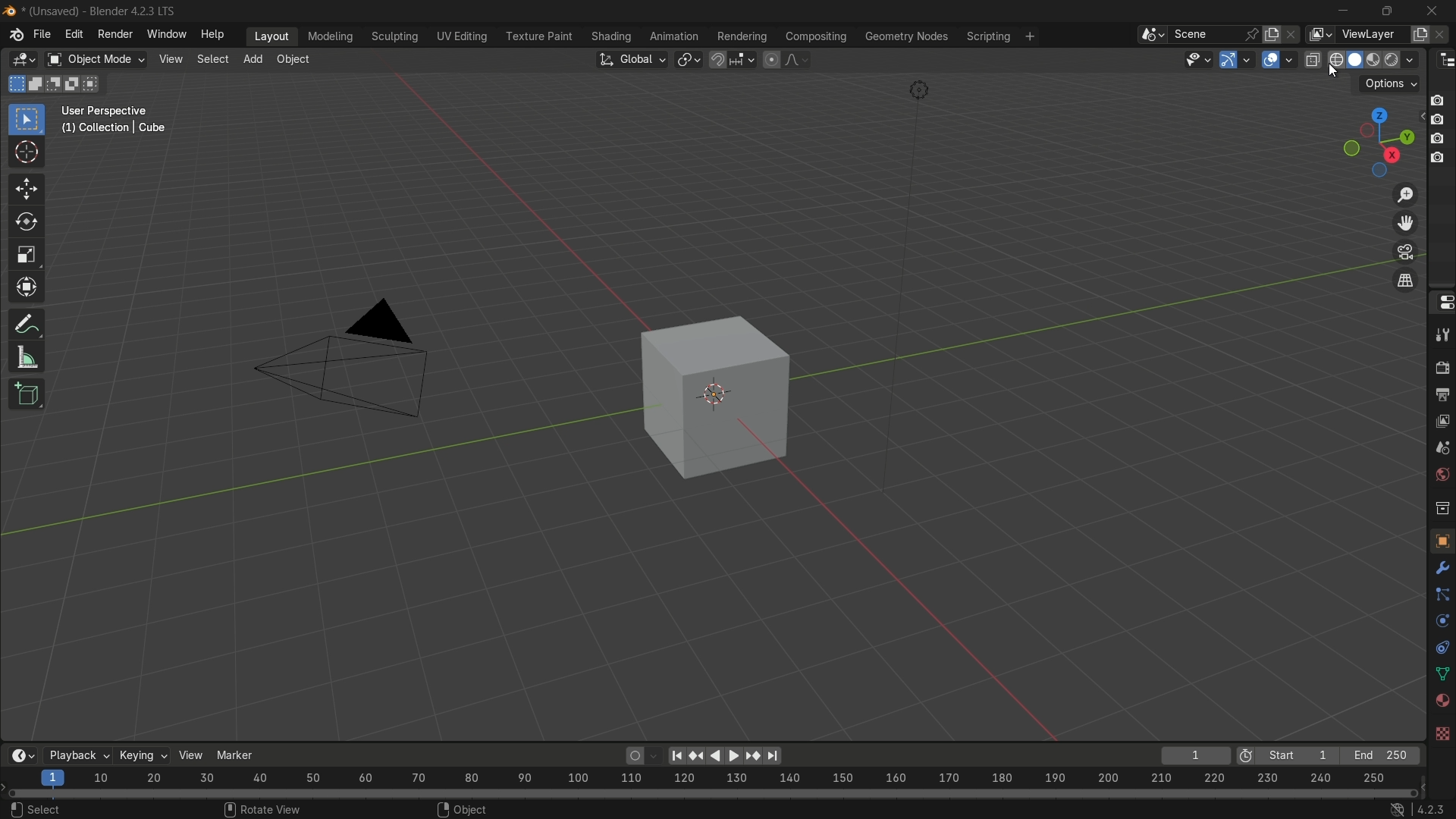 The height and width of the screenshot is (819, 1456). I want to click on tool, so click(1441, 334).